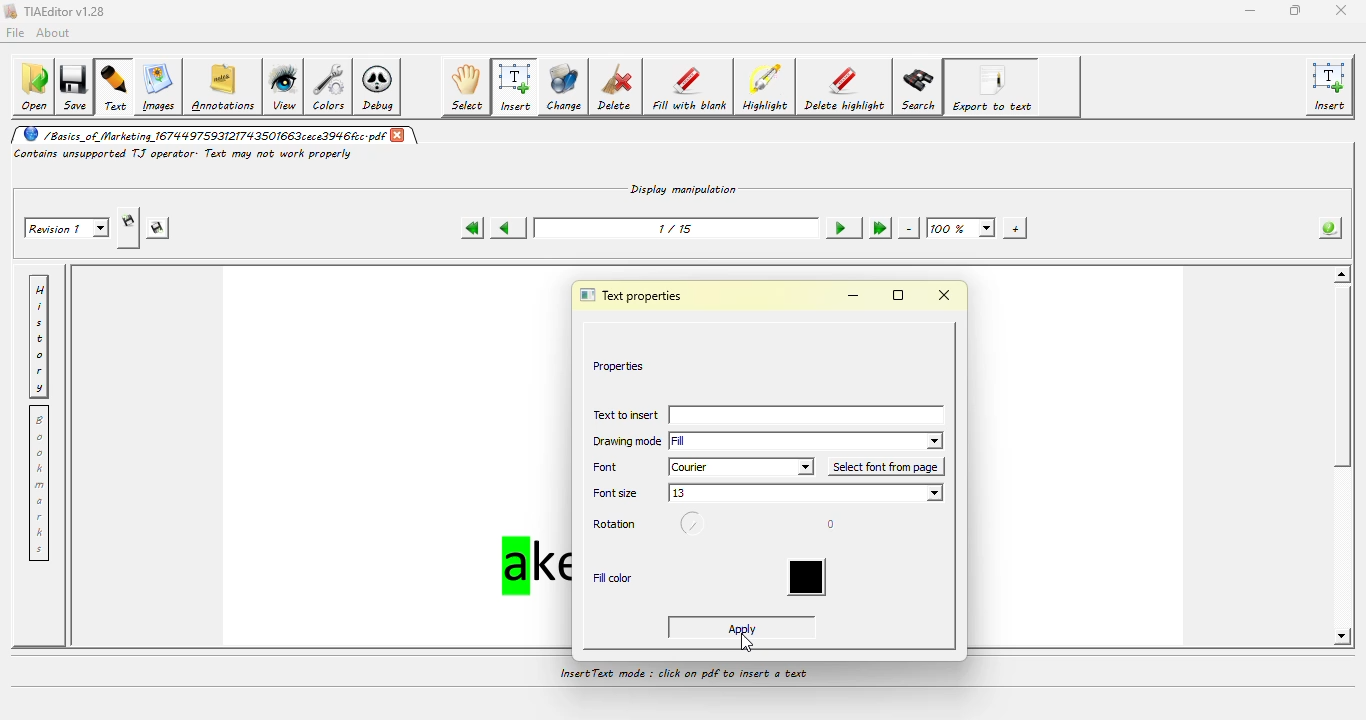  I want to click on insert, so click(515, 87).